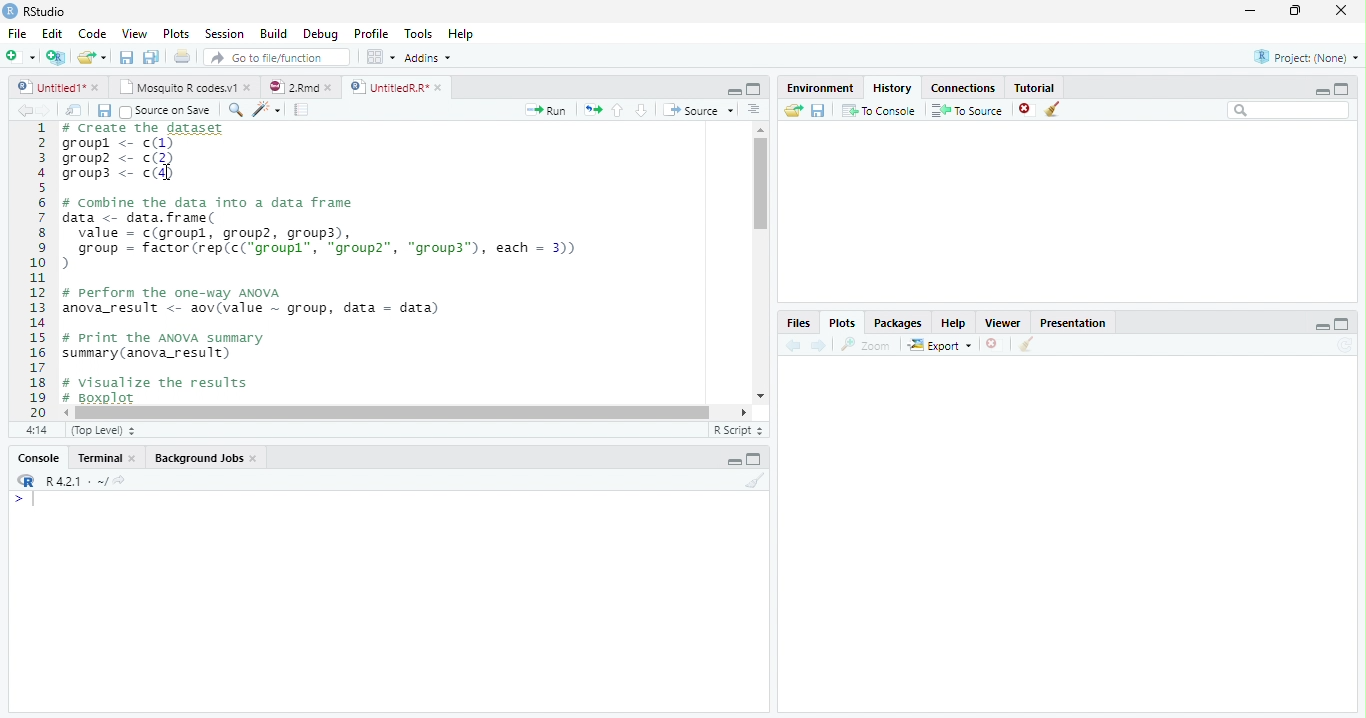  I want to click on Maximize, so click(754, 90).